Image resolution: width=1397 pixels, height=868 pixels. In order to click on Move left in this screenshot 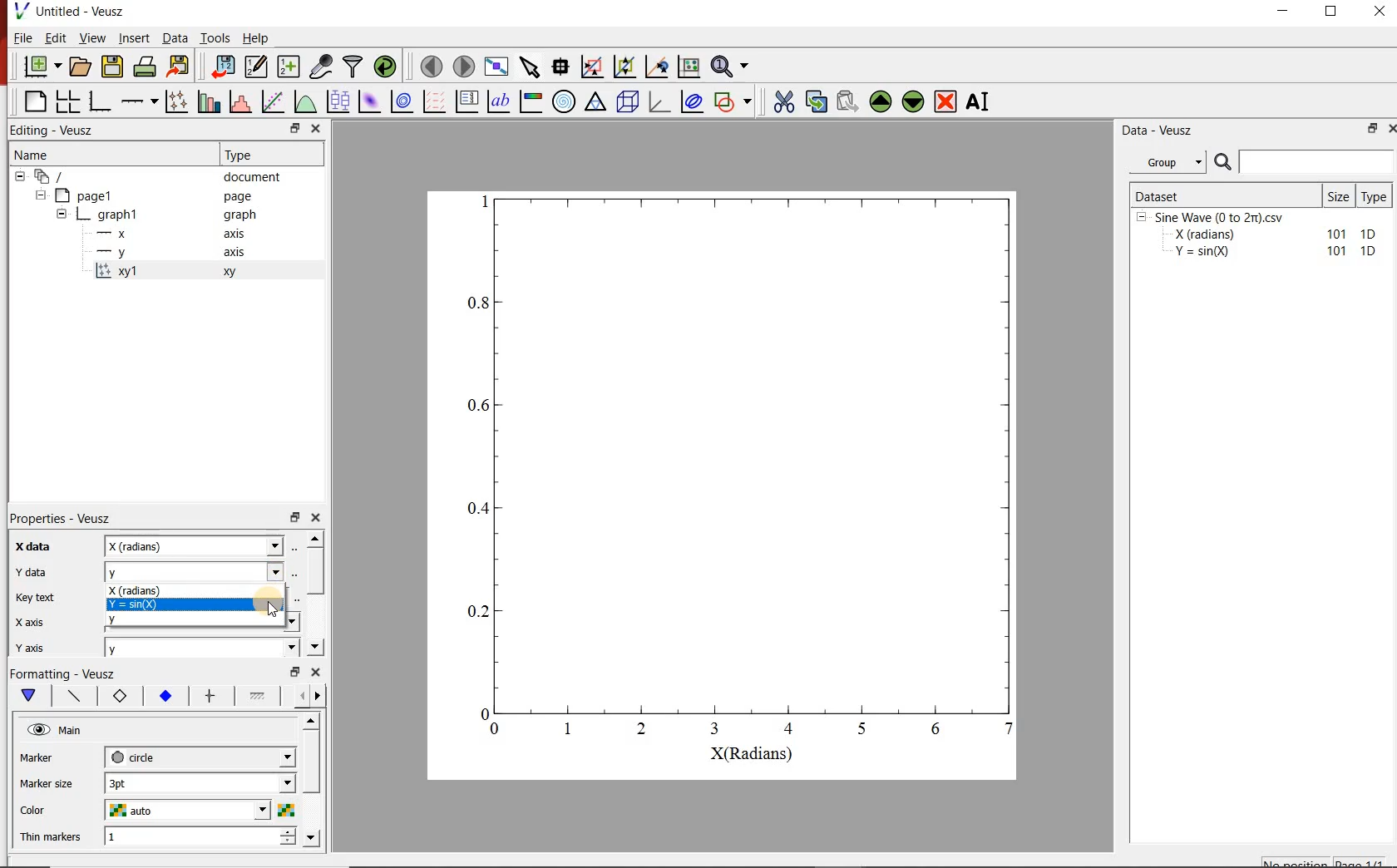, I will do `click(299, 695)`.